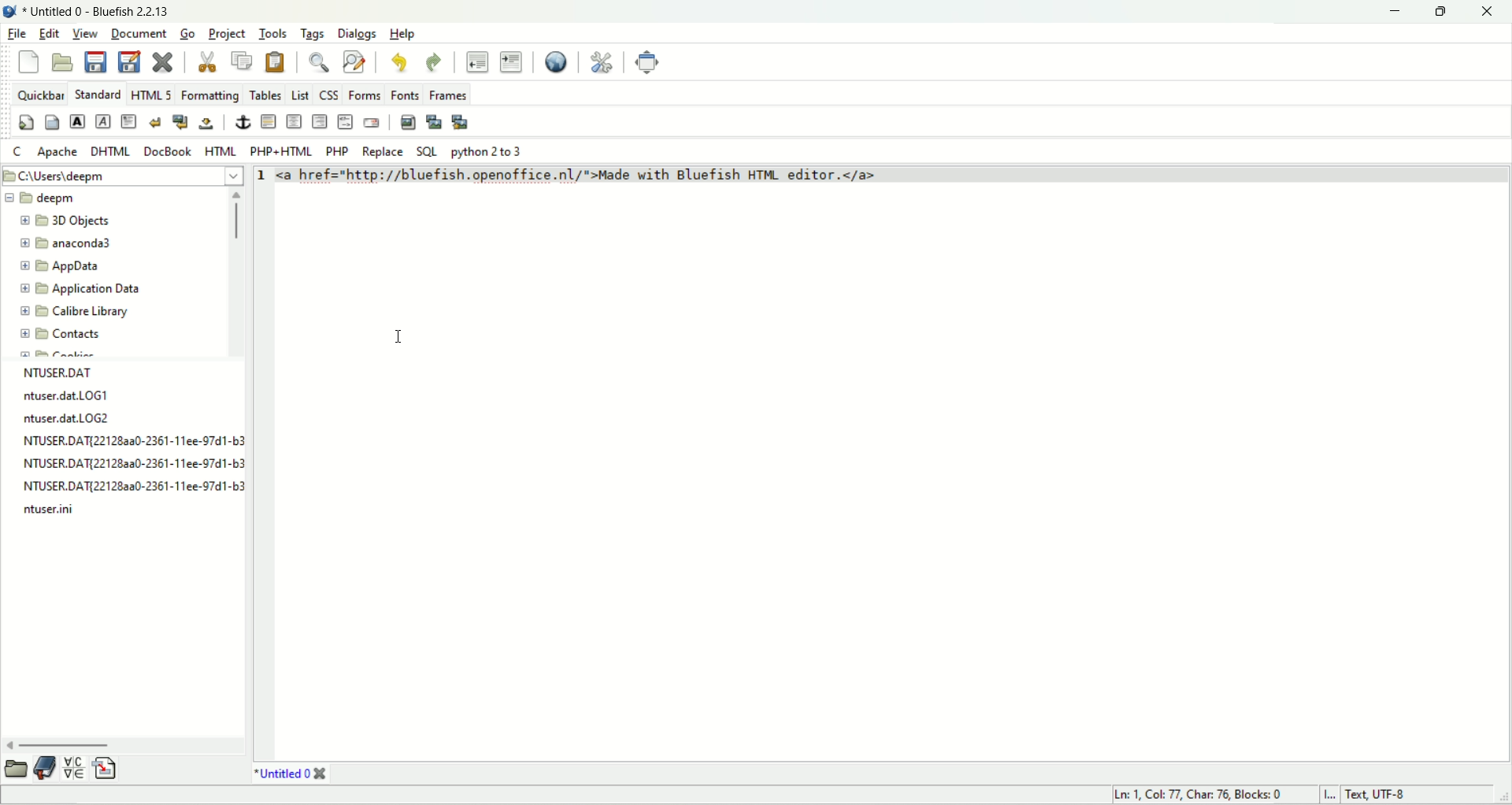  What do you see at coordinates (313, 34) in the screenshot?
I see `tags` at bounding box center [313, 34].